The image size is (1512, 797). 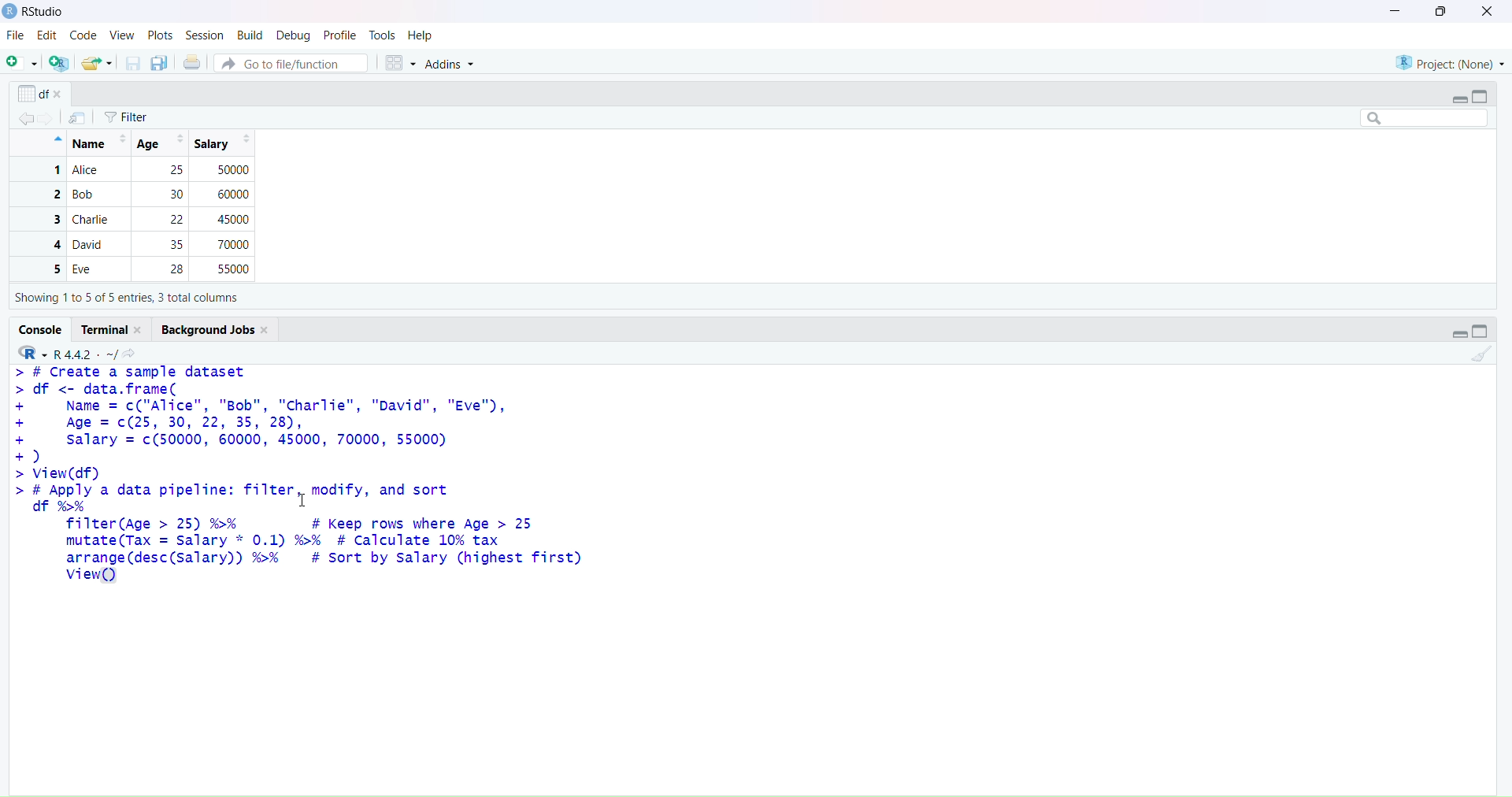 What do you see at coordinates (1483, 354) in the screenshot?
I see `clear console` at bounding box center [1483, 354].